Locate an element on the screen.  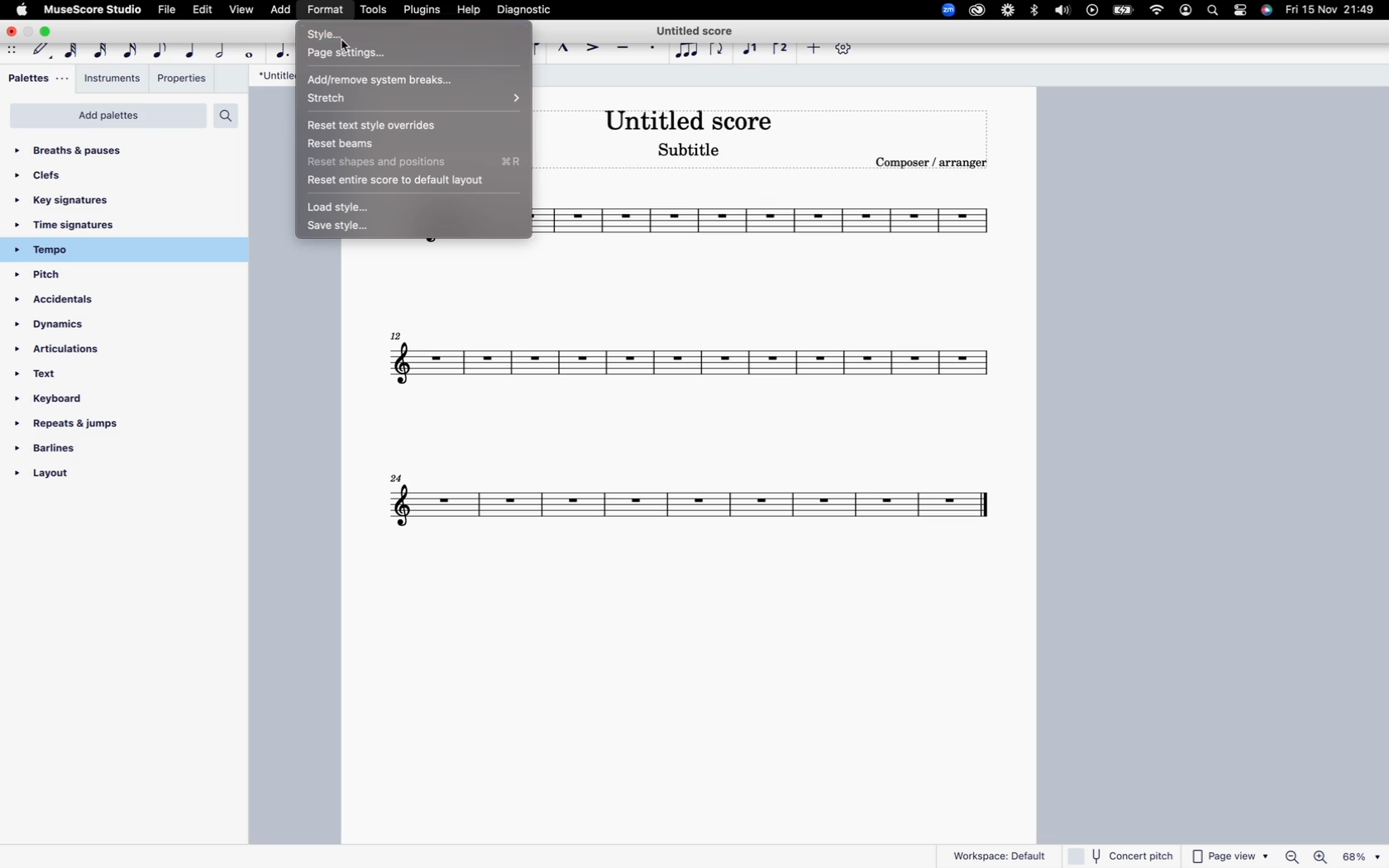
palletes is located at coordinates (36, 79).